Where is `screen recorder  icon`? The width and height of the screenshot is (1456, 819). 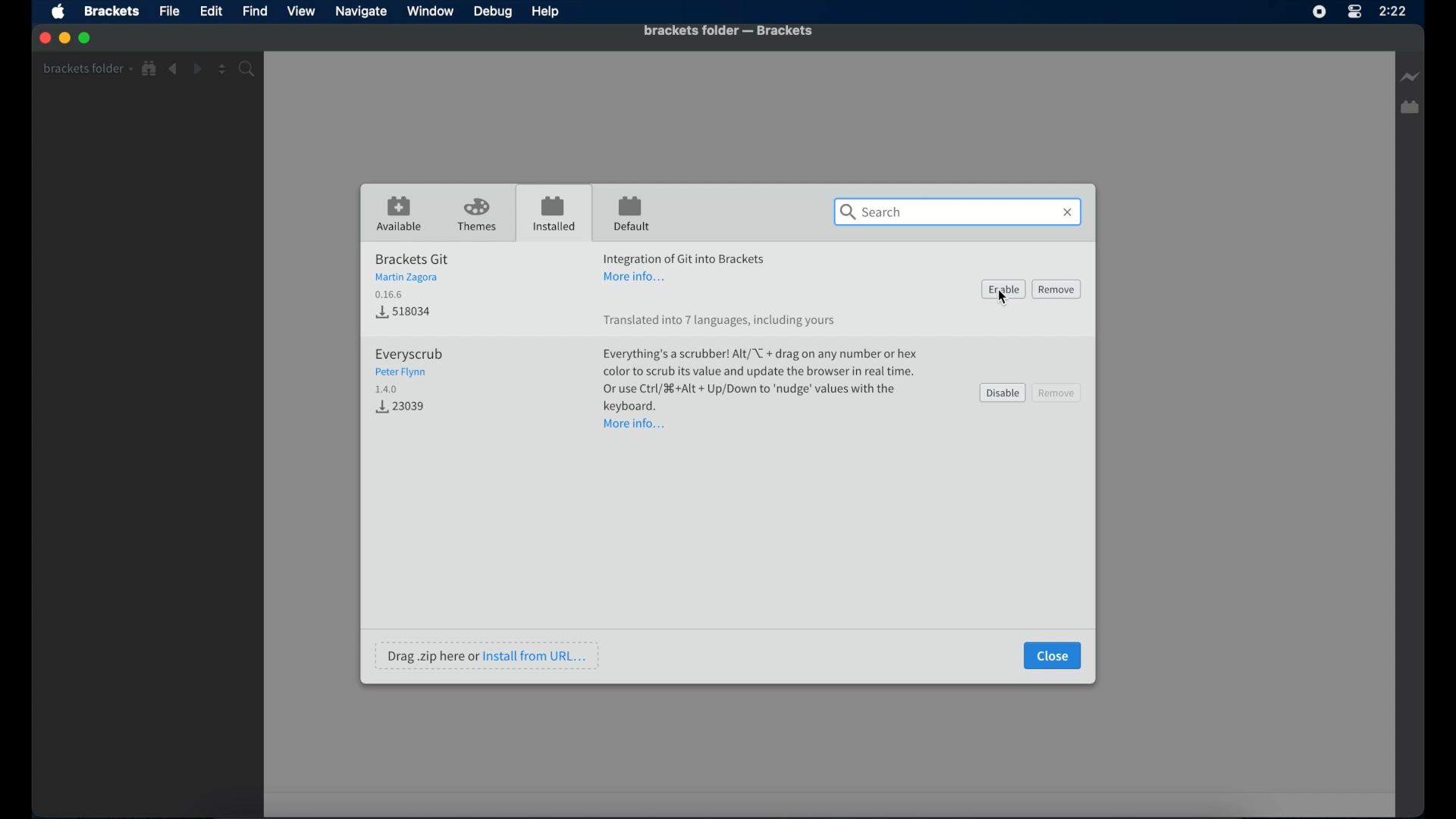 screen recorder  icon is located at coordinates (1319, 12).